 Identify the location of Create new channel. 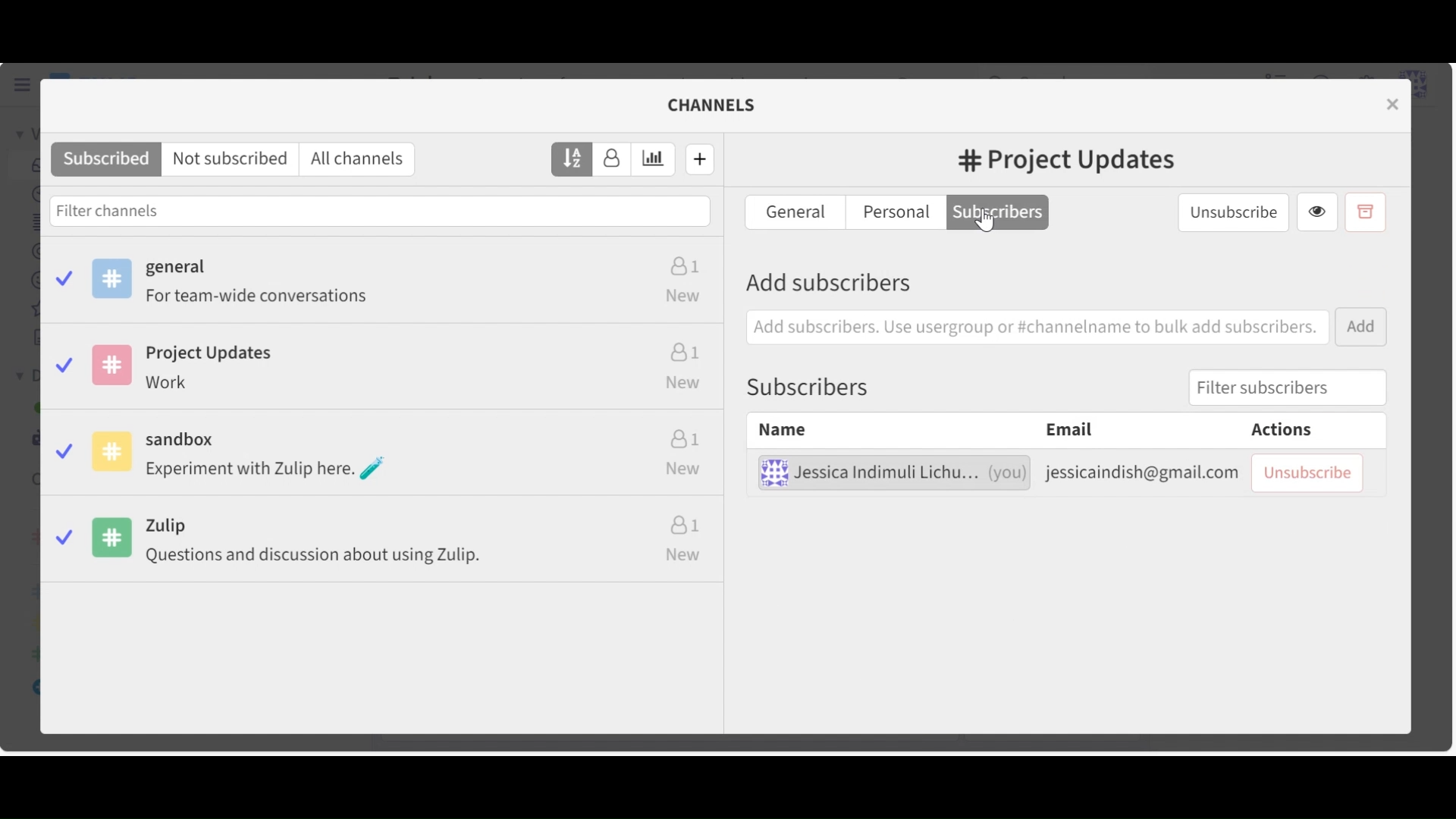
(699, 159).